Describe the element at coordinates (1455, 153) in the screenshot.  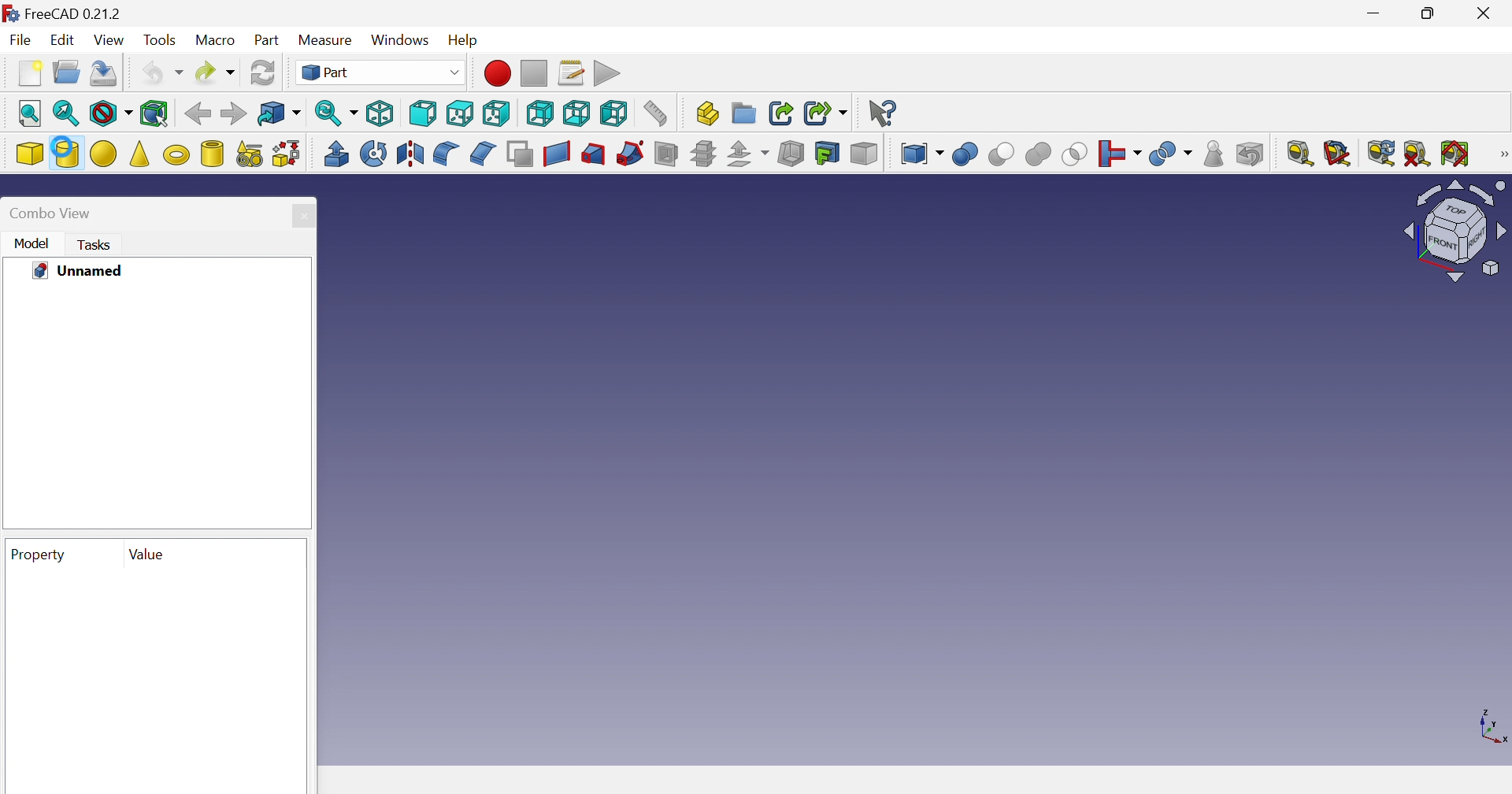
I see `Toggle all` at that location.